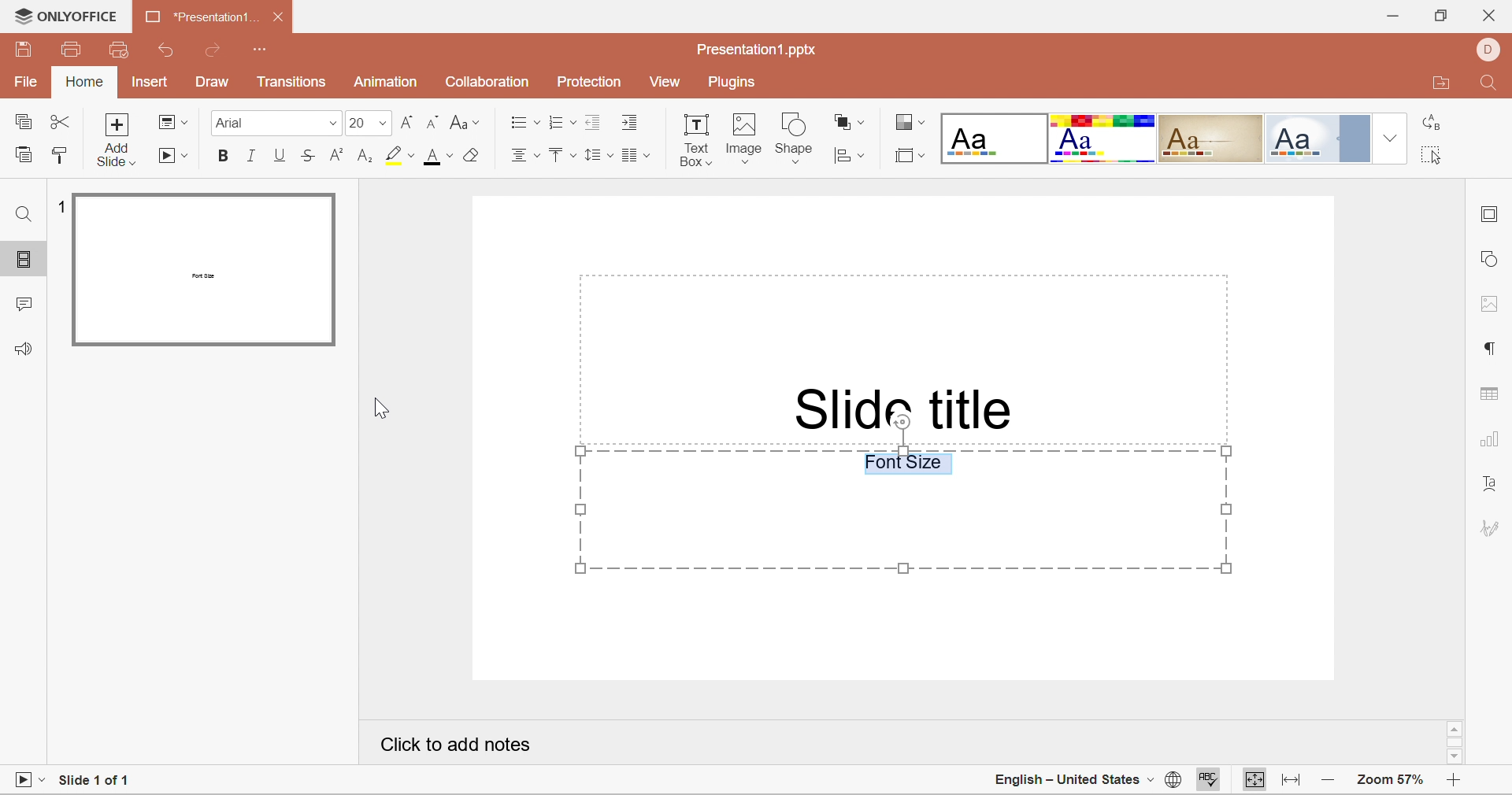  I want to click on Replace, so click(1433, 124).